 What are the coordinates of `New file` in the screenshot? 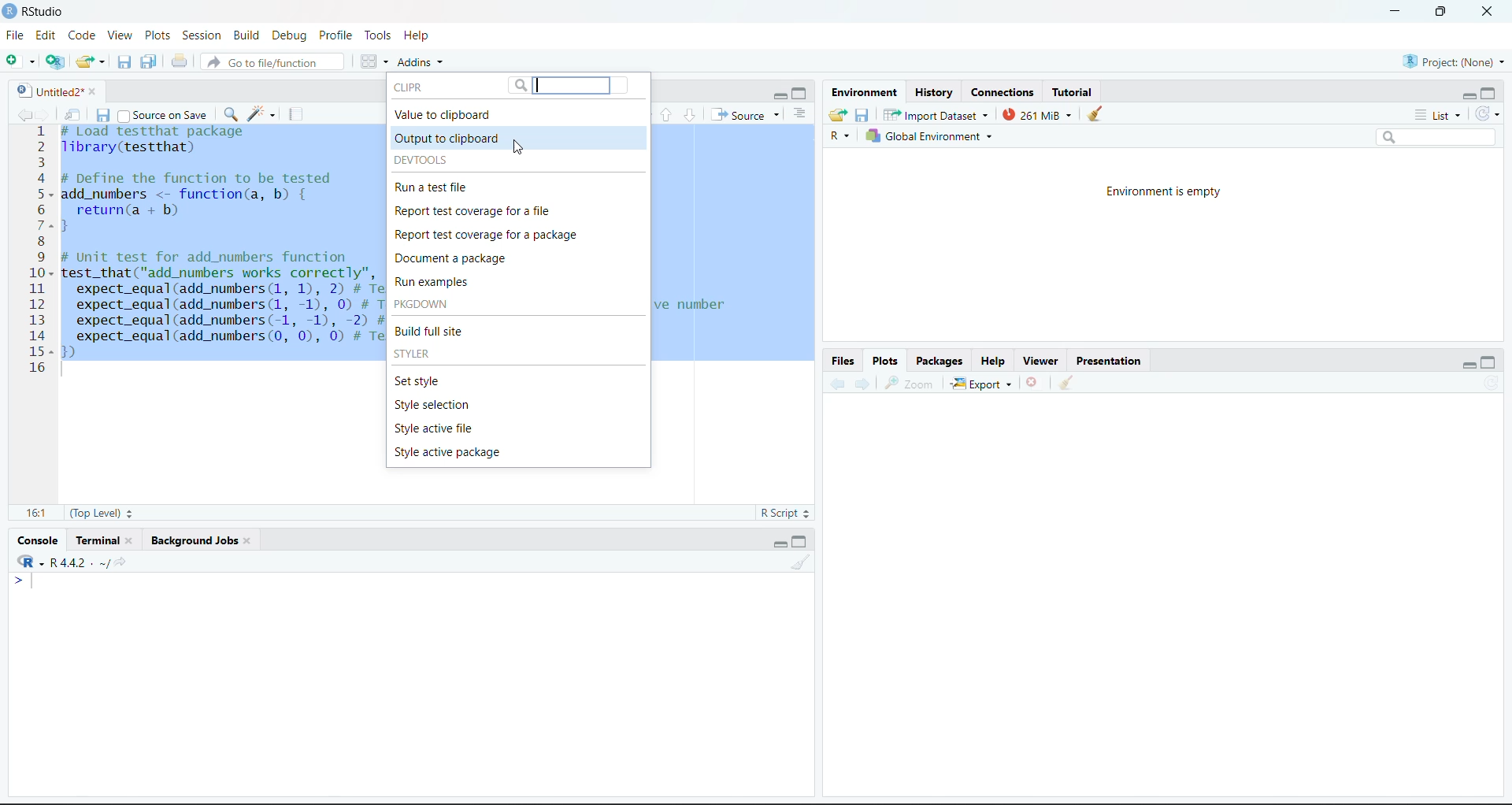 It's located at (20, 62).